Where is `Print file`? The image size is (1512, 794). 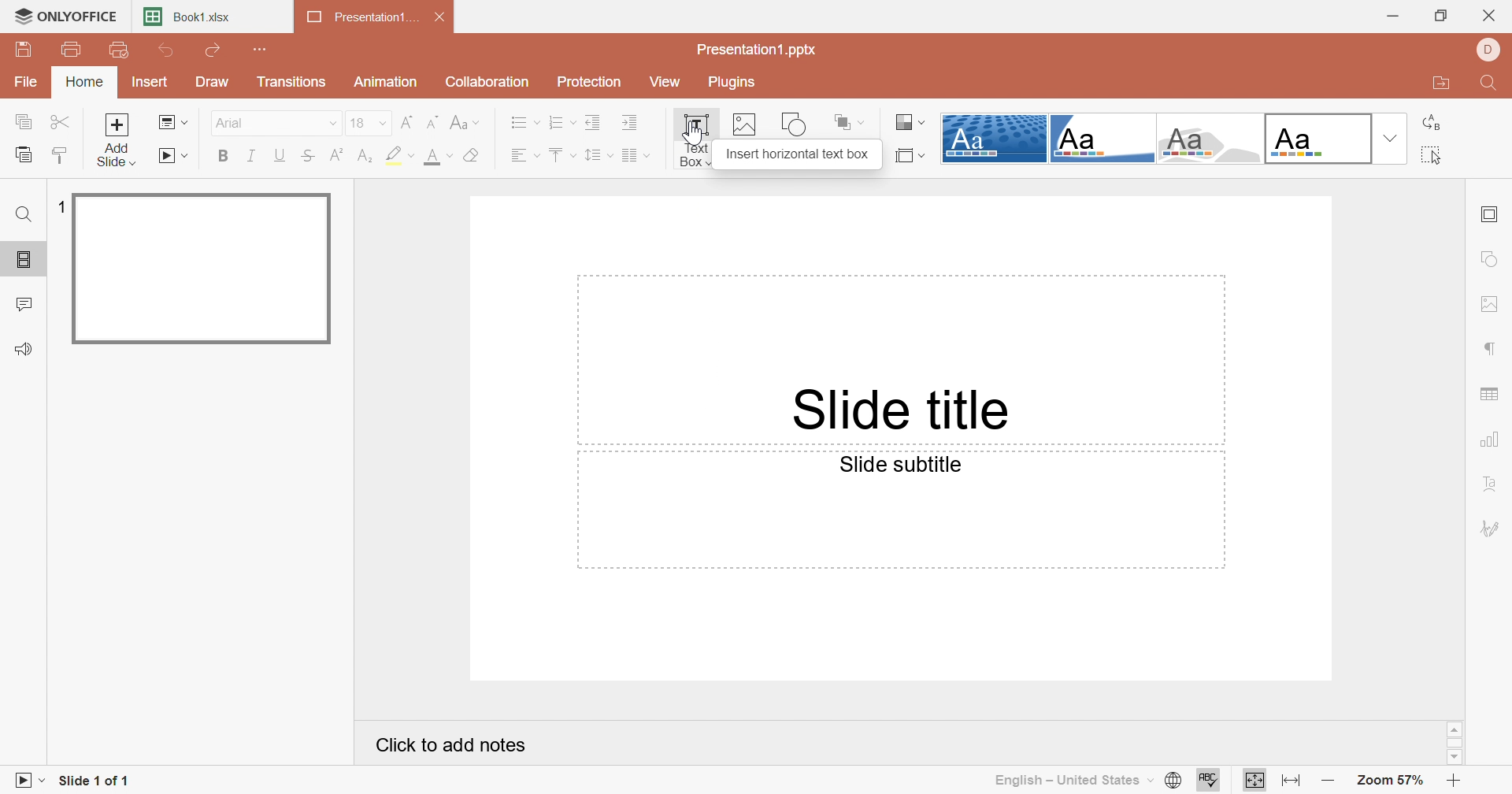 Print file is located at coordinates (75, 52).